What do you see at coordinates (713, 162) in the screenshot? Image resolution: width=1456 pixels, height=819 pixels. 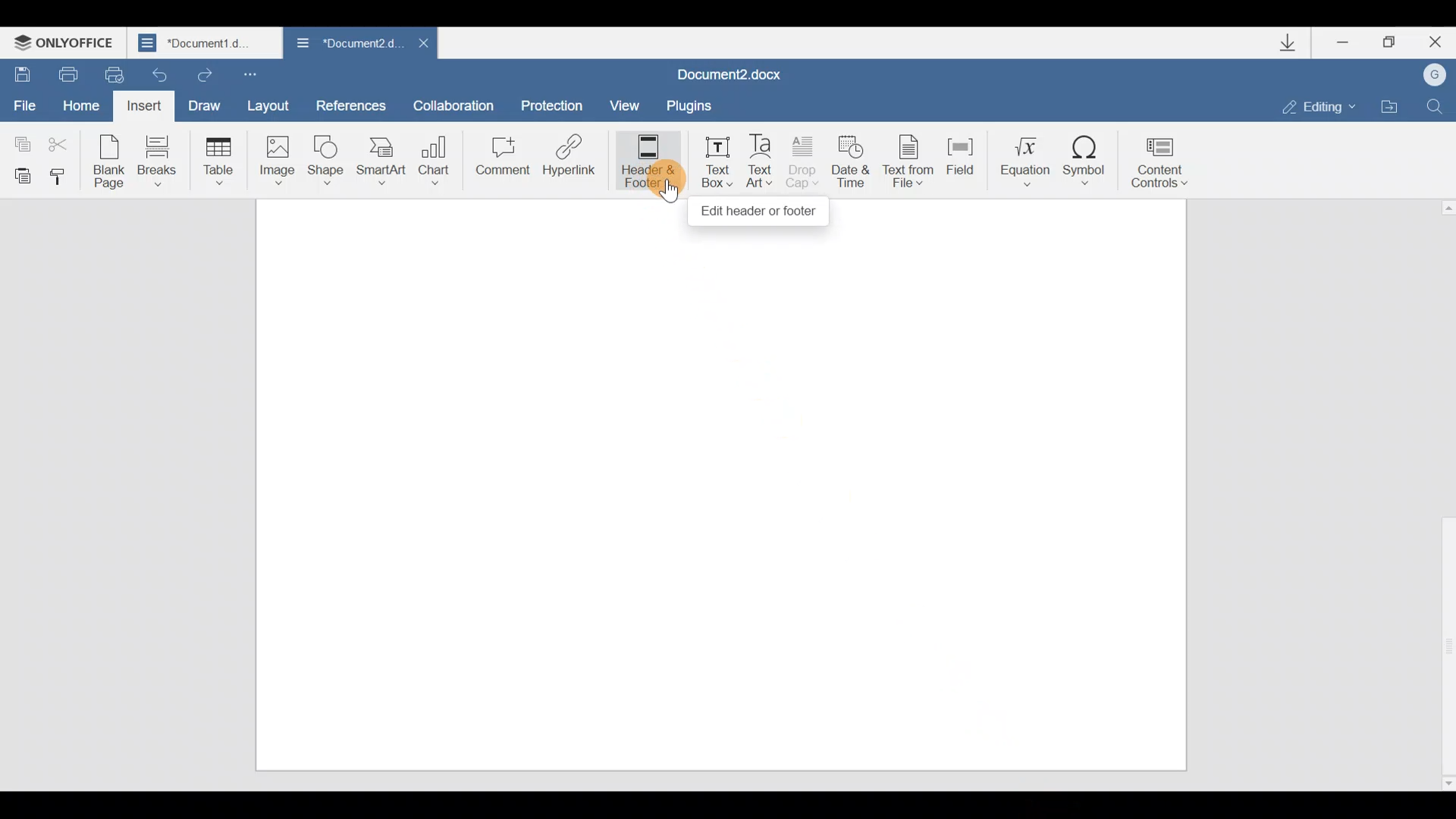 I see `Text box` at bounding box center [713, 162].